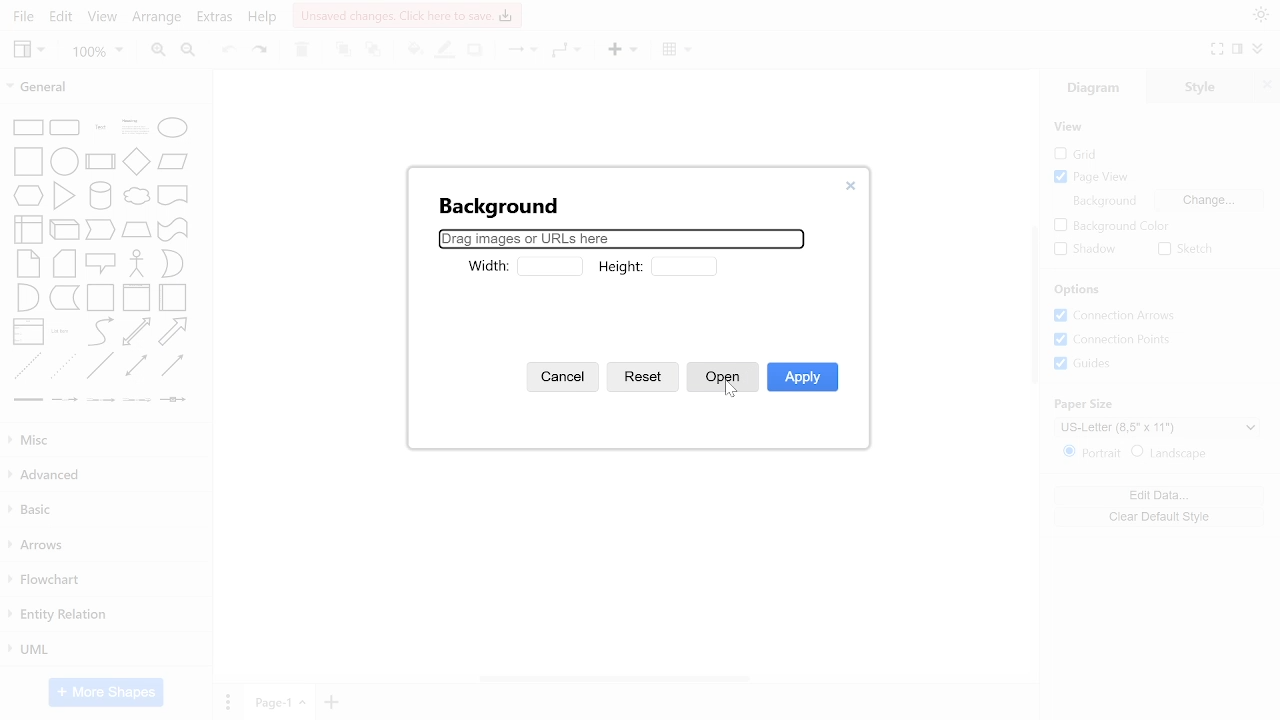 This screenshot has width=1280, height=720. I want to click on general shapes, so click(137, 296).